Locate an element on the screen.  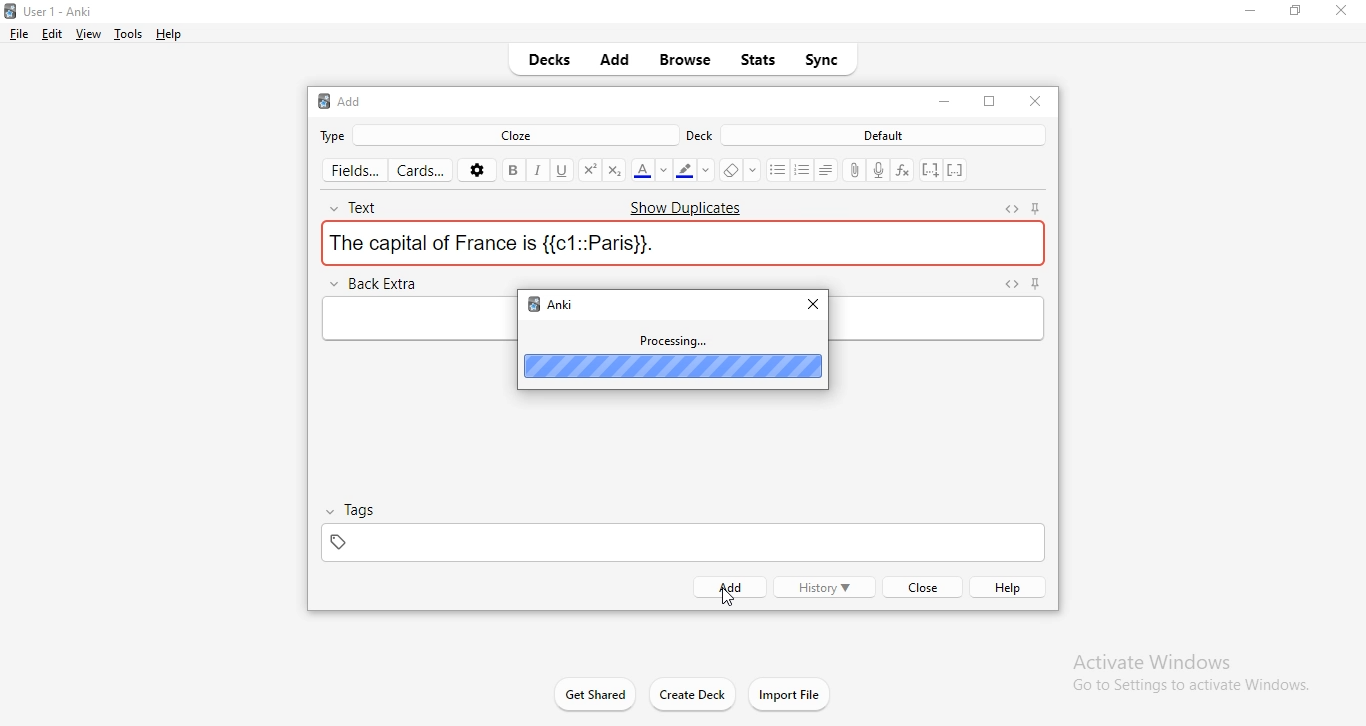
minimise is located at coordinates (1249, 14).